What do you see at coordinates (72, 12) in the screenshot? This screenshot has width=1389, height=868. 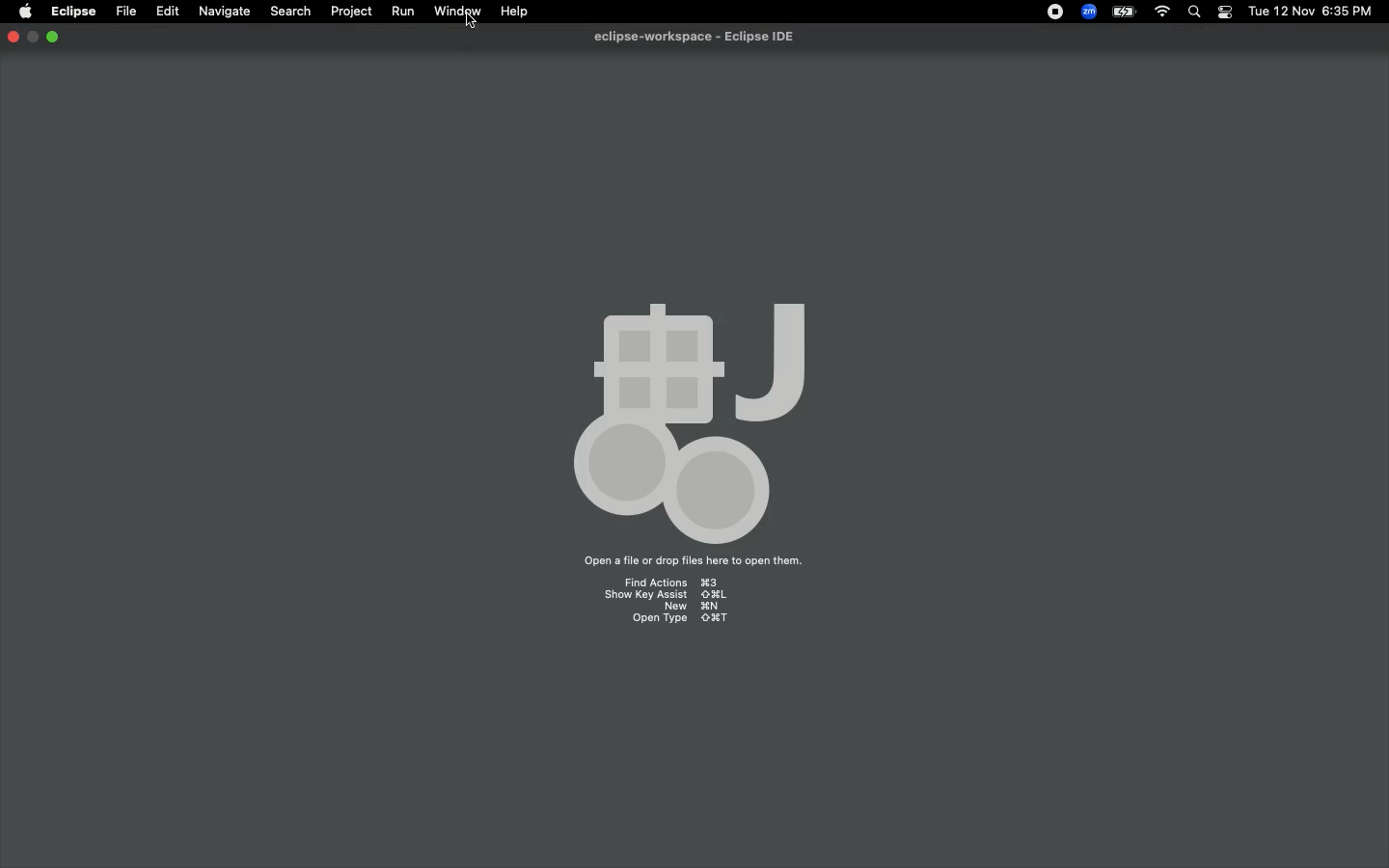 I see `Eclipse` at bounding box center [72, 12].